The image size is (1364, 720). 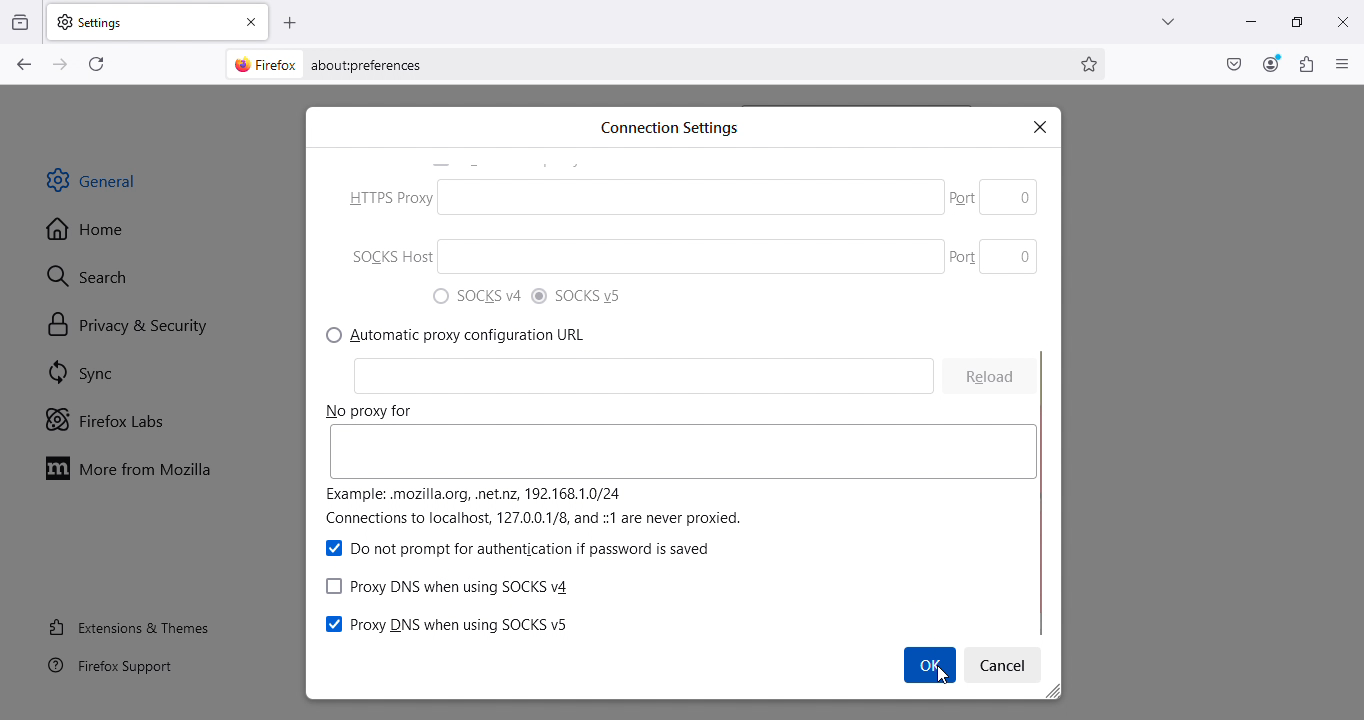 What do you see at coordinates (1307, 64) in the screenshot?
I see `Extensions` at bounding box center [1307, 64].